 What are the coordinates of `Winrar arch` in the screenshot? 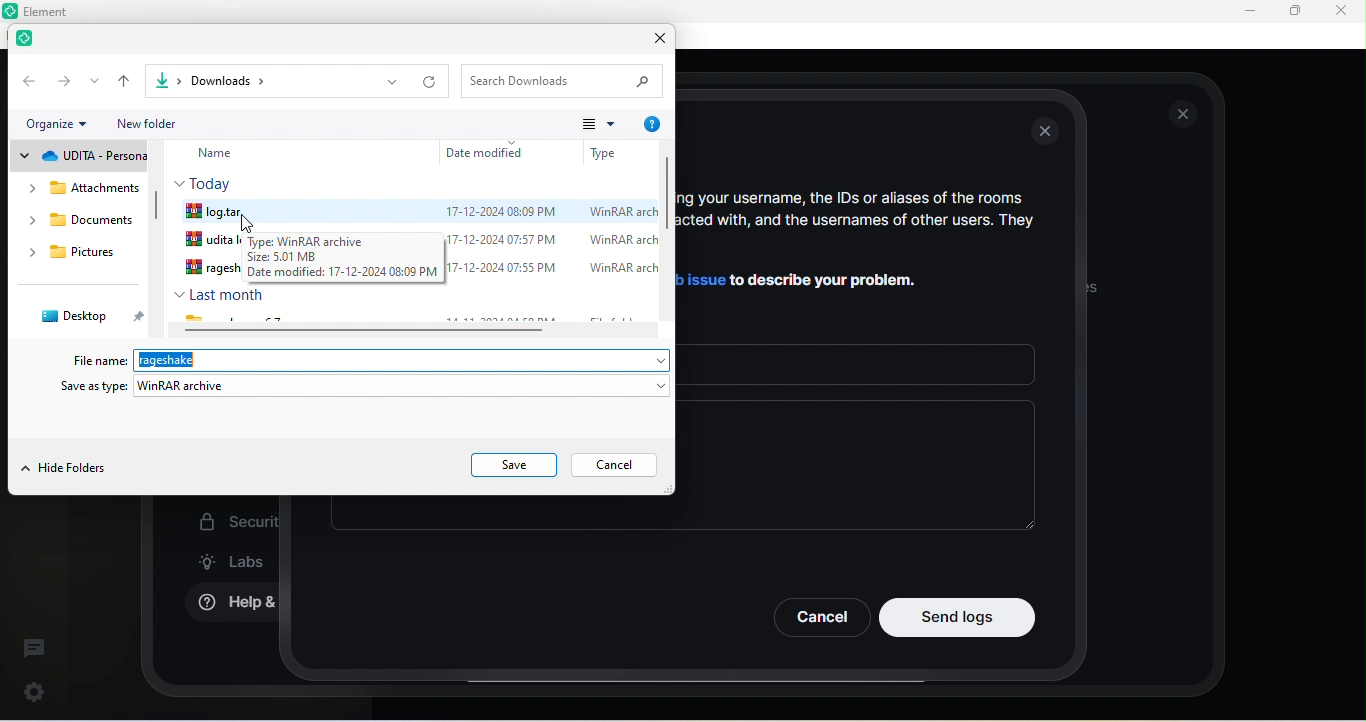 It's located at (615, 269).